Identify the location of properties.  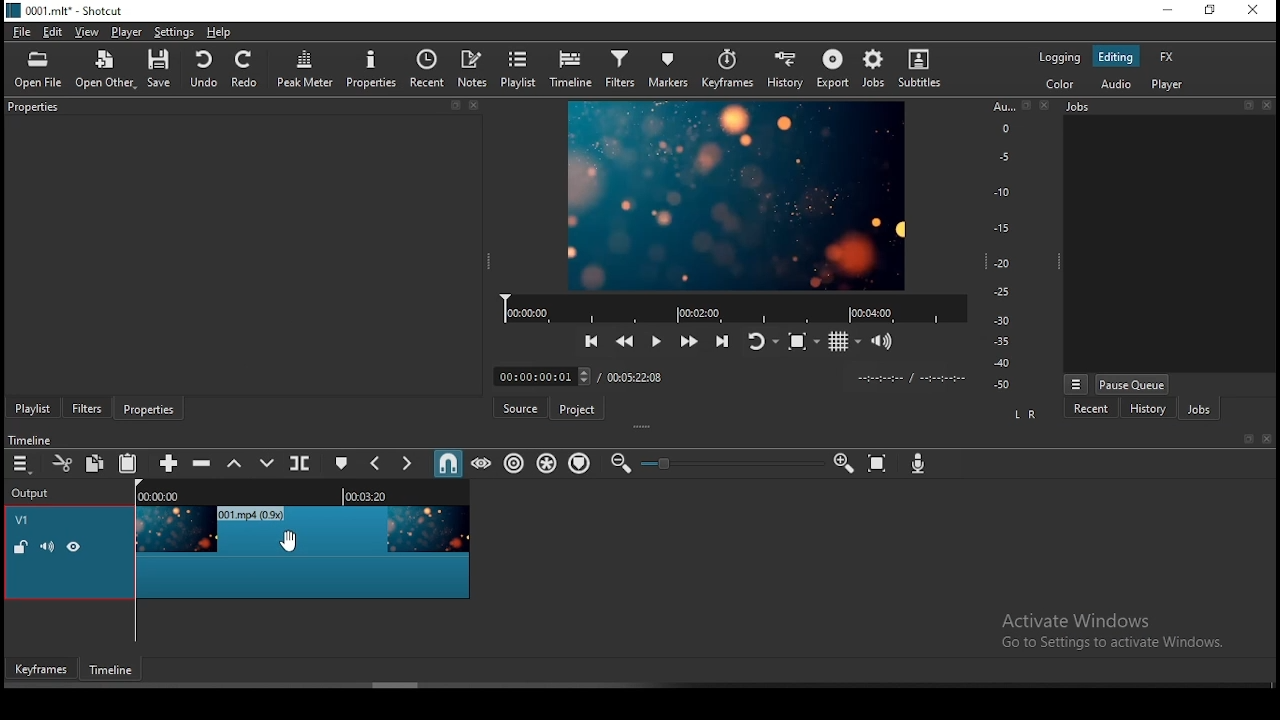
(372, 69).